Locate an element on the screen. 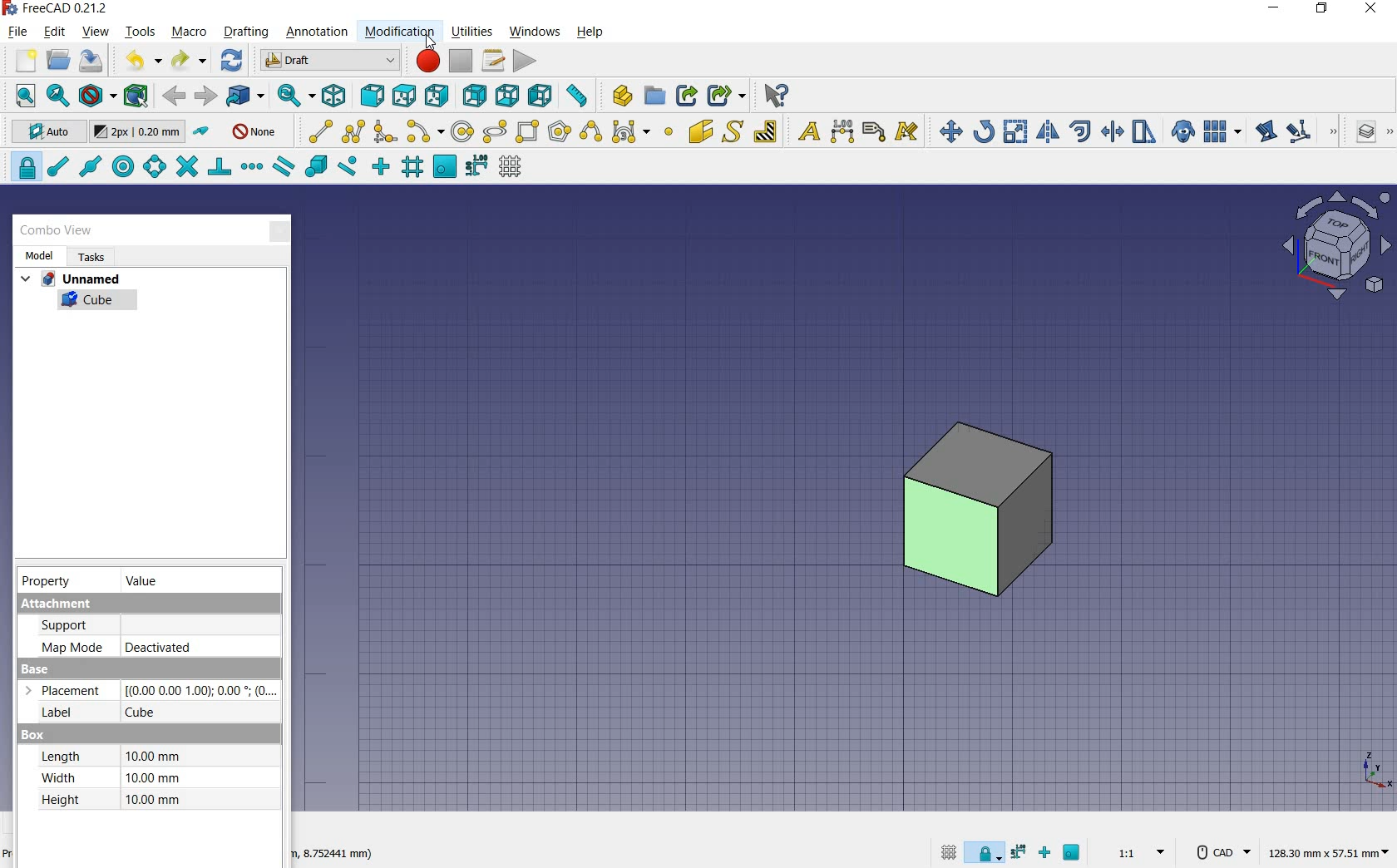  model is located at coordinates (38, 255).